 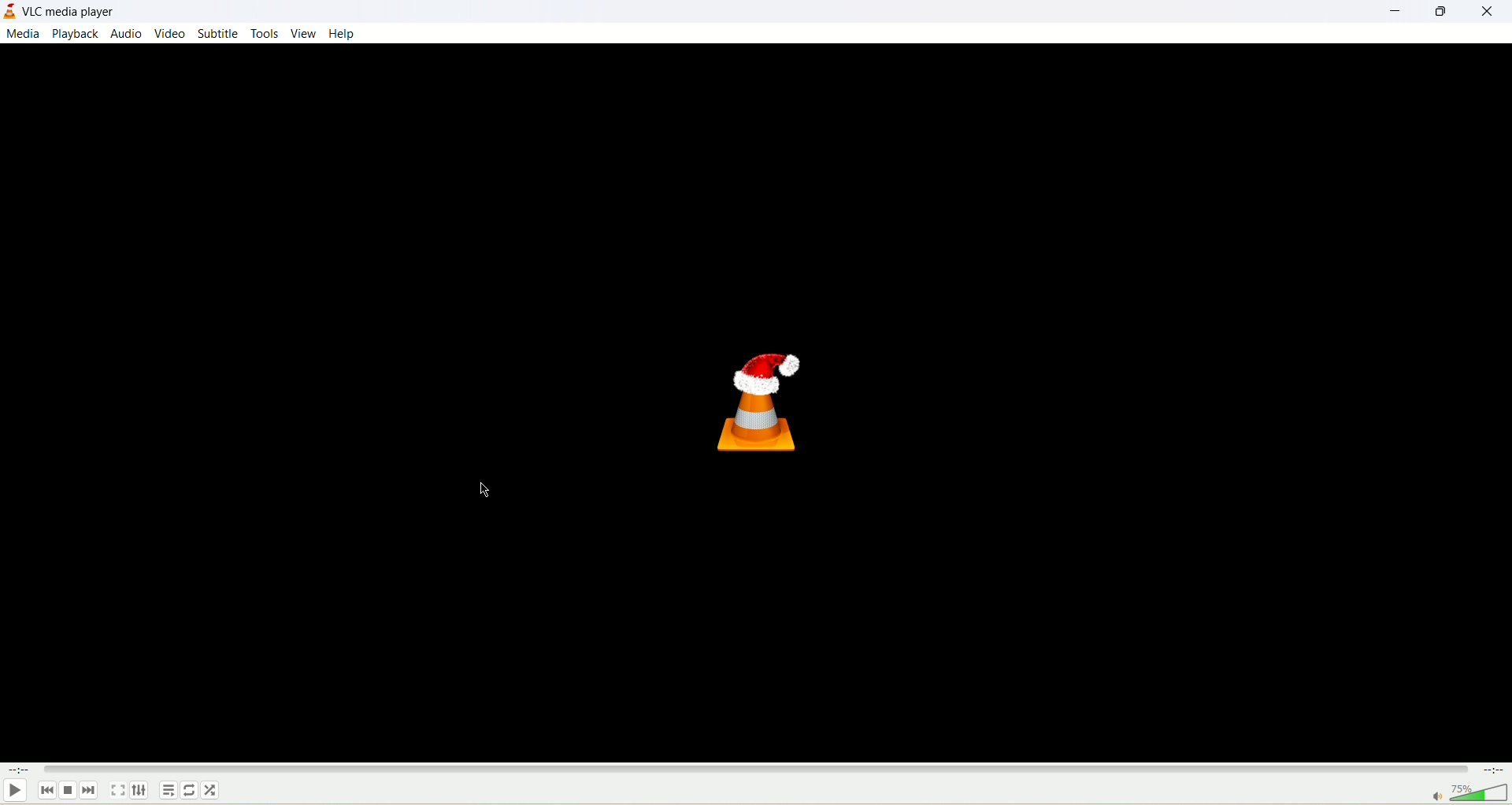 What do you see at coordinates (1496, 770) in the screenshot?
I see `time remaining` at bounding box center [1496, 770].